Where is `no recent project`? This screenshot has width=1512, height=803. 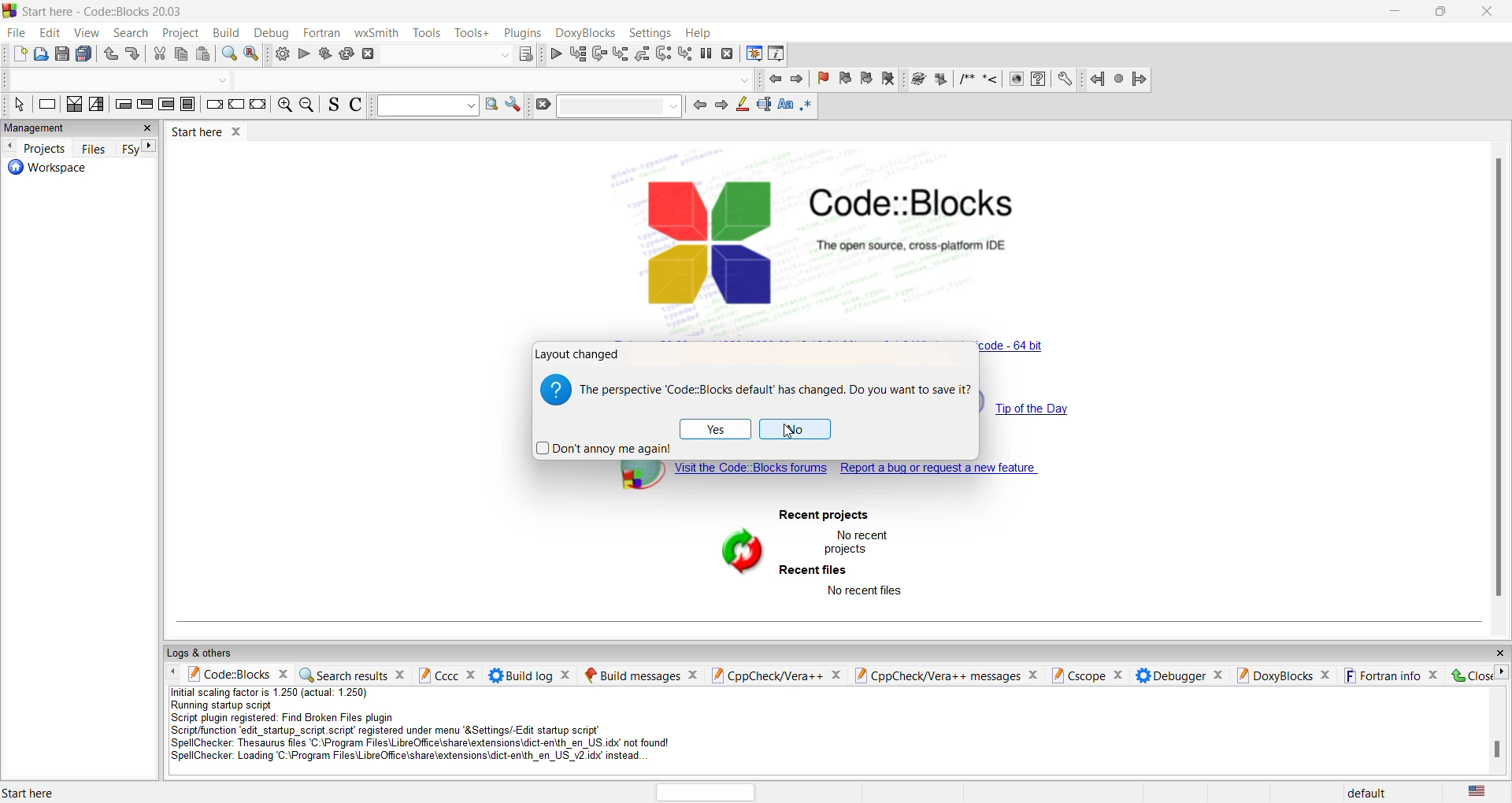
no recent project is located at coordinates (858, 541).